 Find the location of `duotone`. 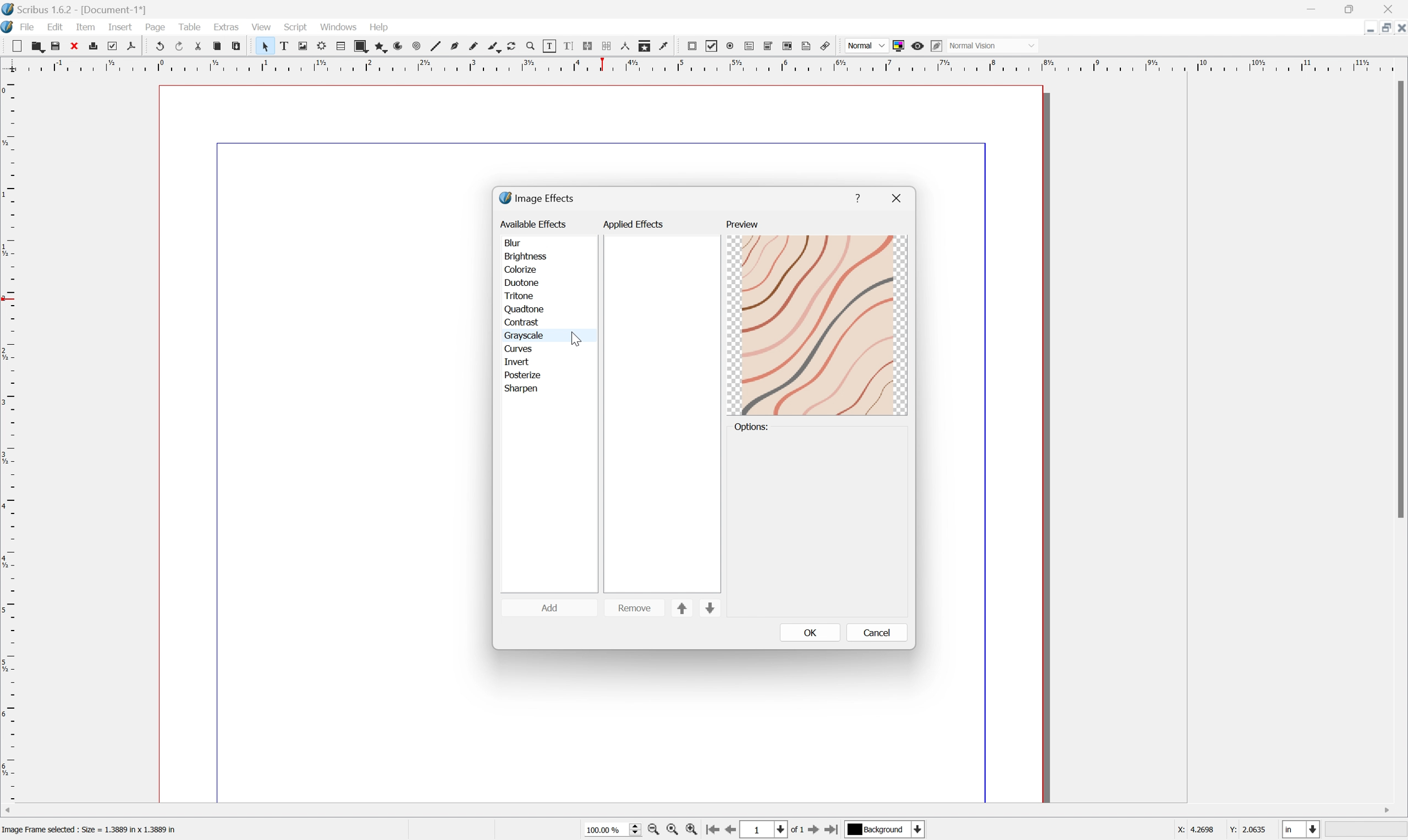

duotone is located at coordinates (521, 282).